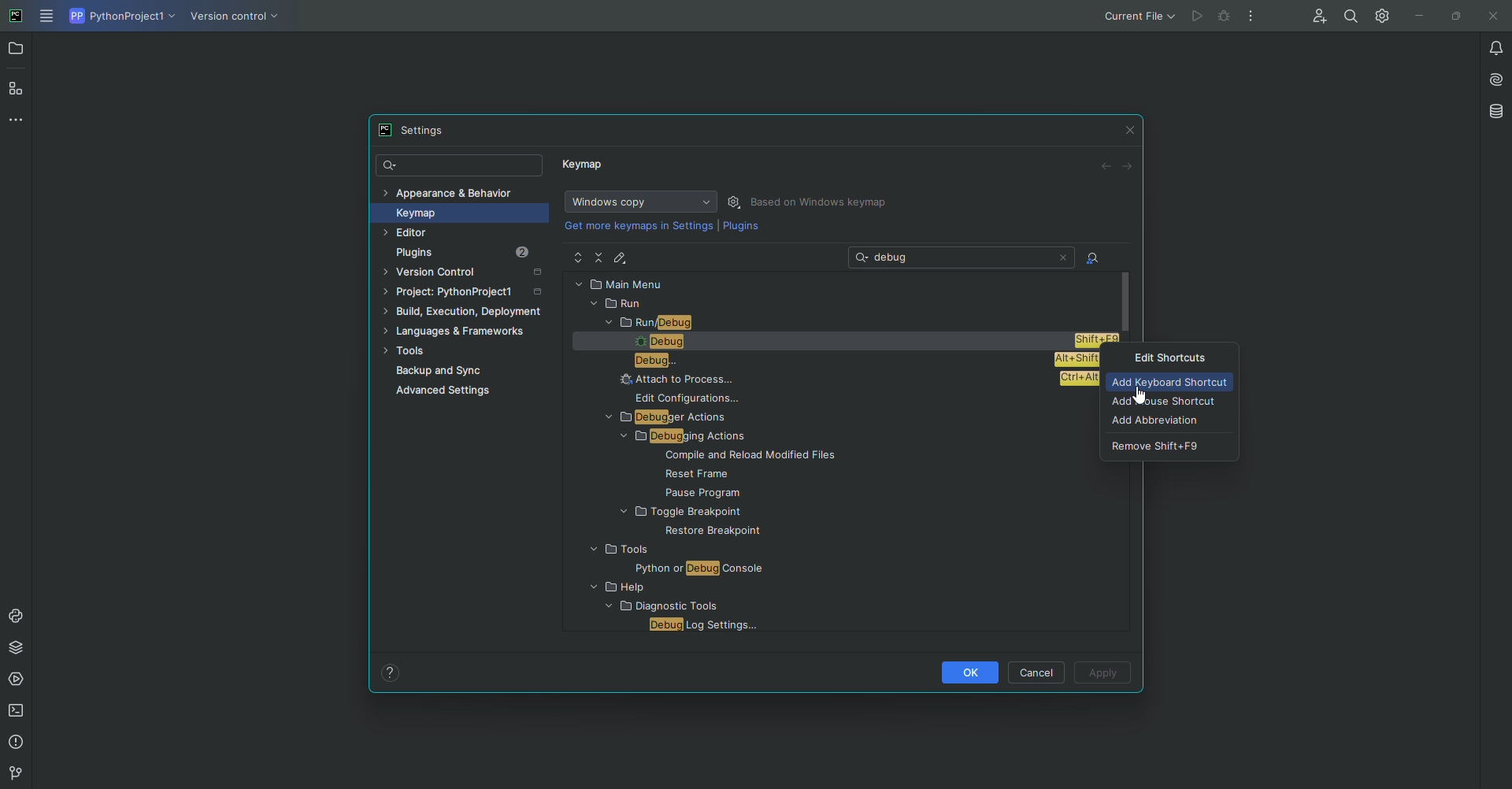  Describe the element at coordinates (1254, 20) in the screenshot. I see `More Options` at that location.